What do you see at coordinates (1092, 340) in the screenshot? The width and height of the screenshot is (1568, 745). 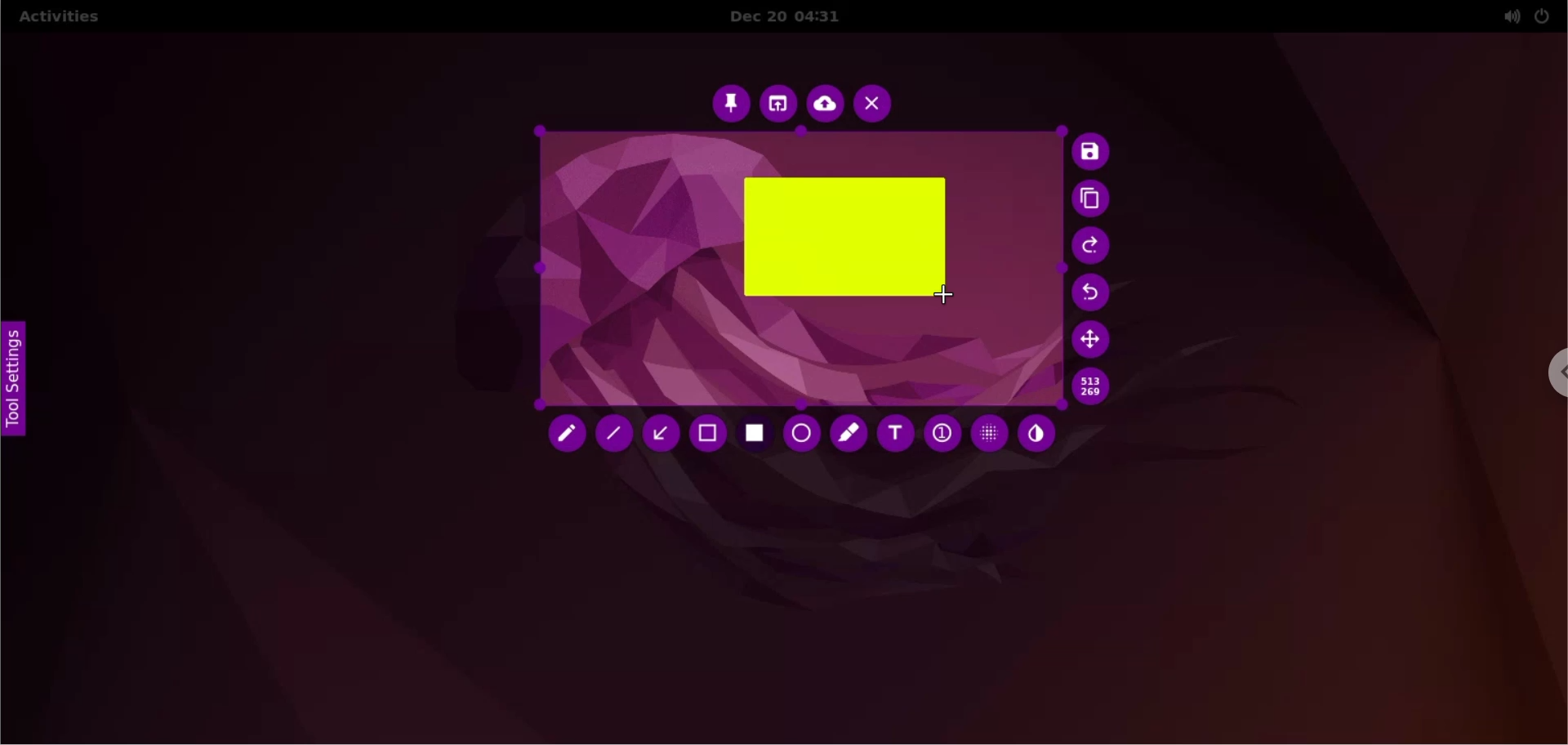 I see `move selection` at bounding box center [1092, 340].